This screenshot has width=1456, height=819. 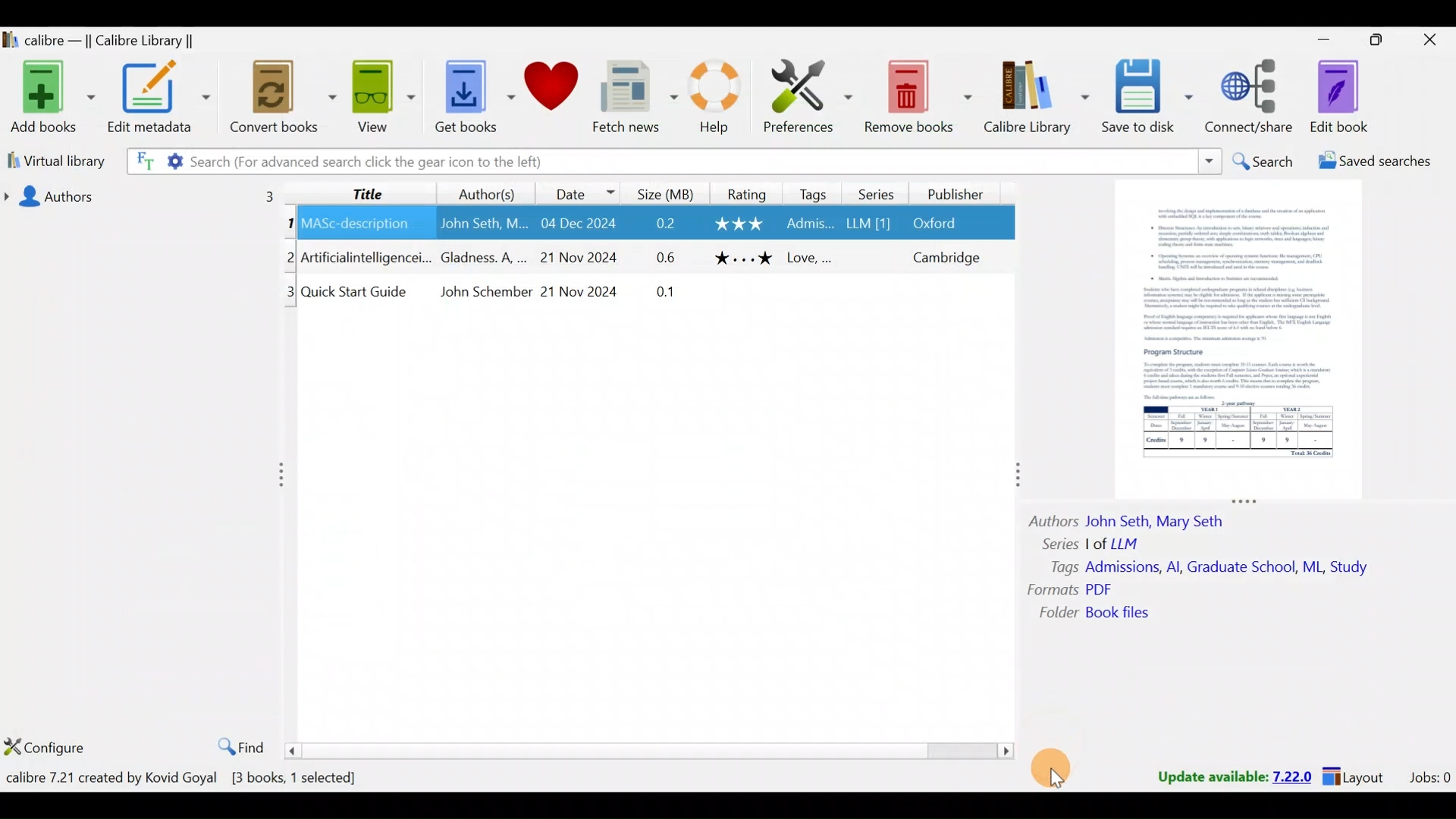 What do you see at coordinates (56, 162) in the screenshot?
I see `Virtual library` at bounding box center [56, 162].